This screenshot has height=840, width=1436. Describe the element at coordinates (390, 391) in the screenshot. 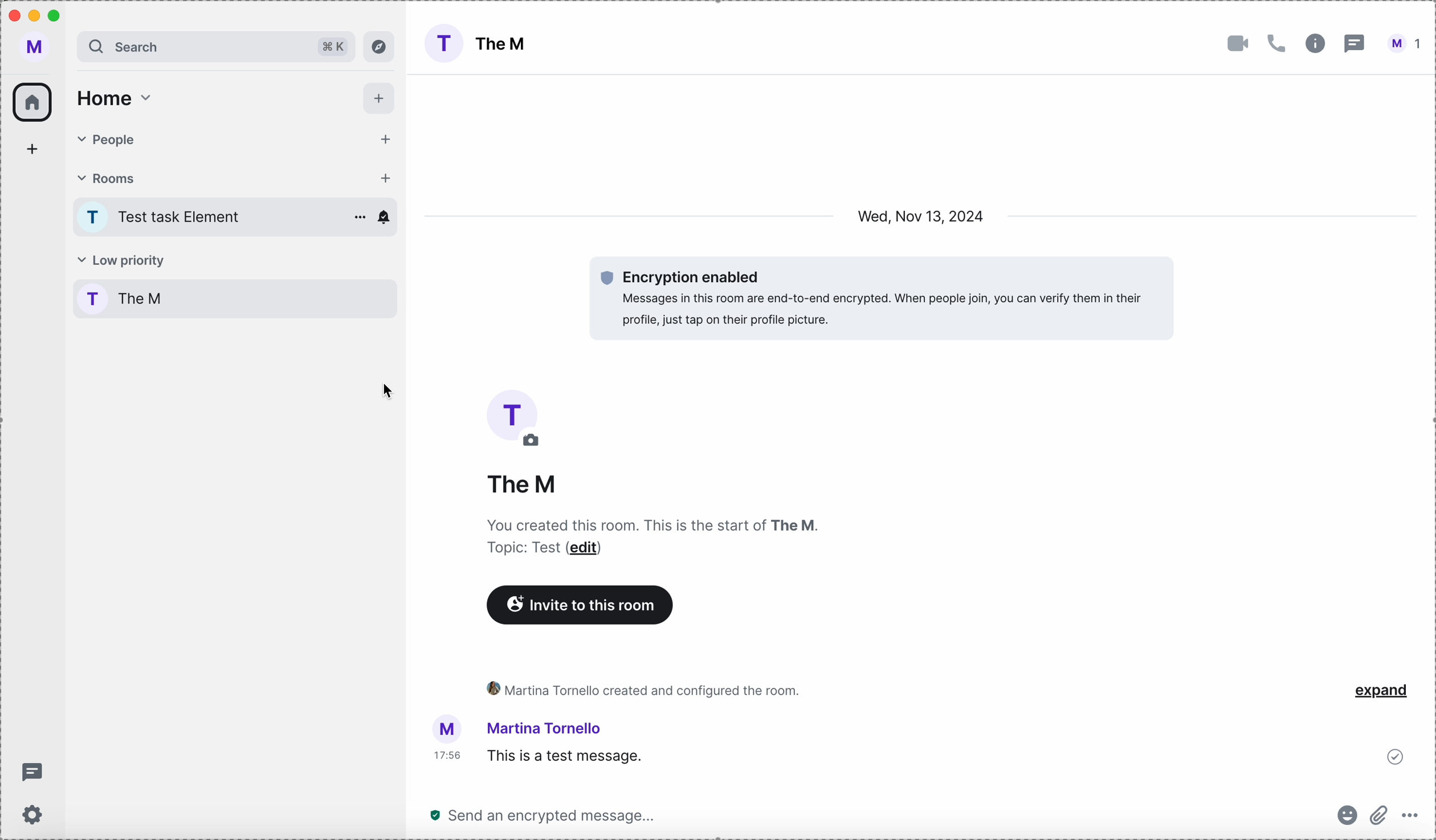

I see `cursor` at that location.